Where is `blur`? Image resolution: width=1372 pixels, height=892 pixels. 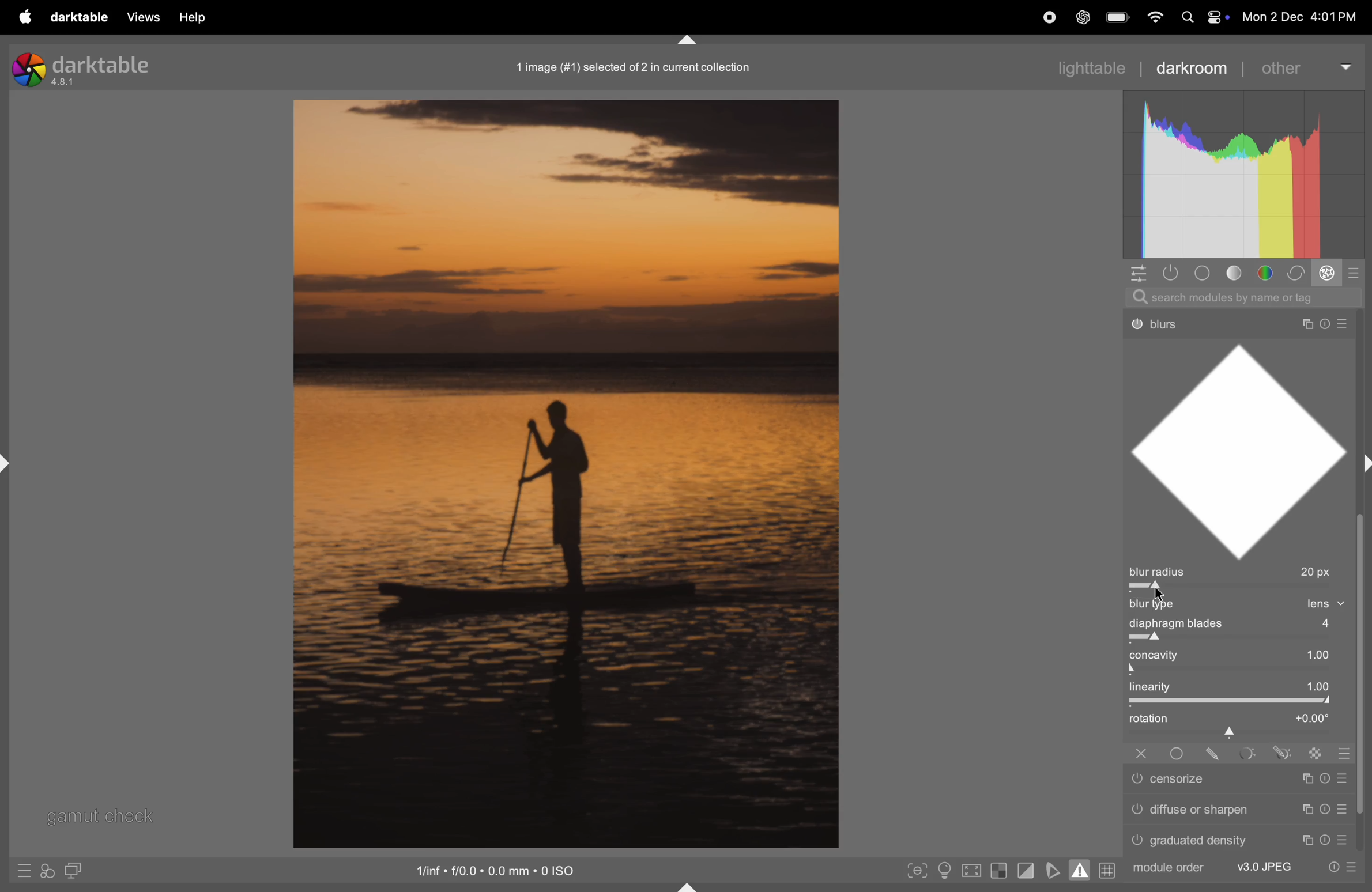
blur is located at coordinates (1158, 605).